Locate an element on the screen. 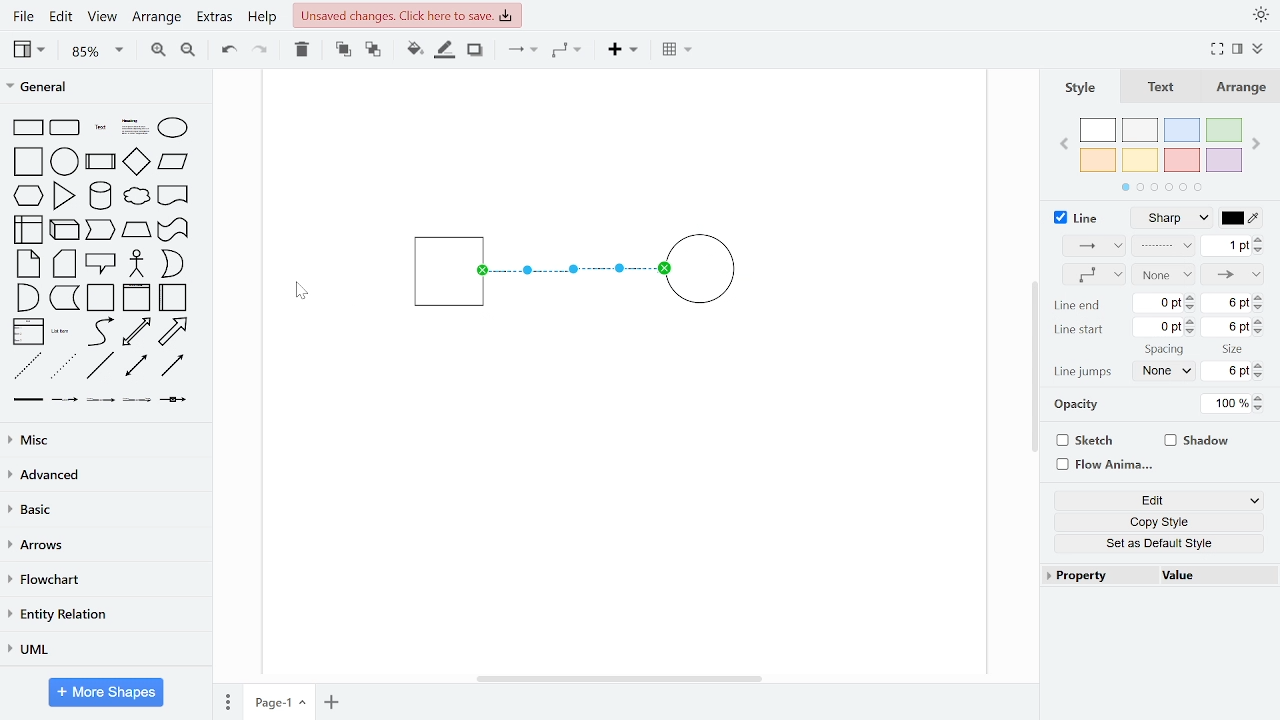 This screenshot has width=1280, height=720. file is located at coordinates (26, 16).